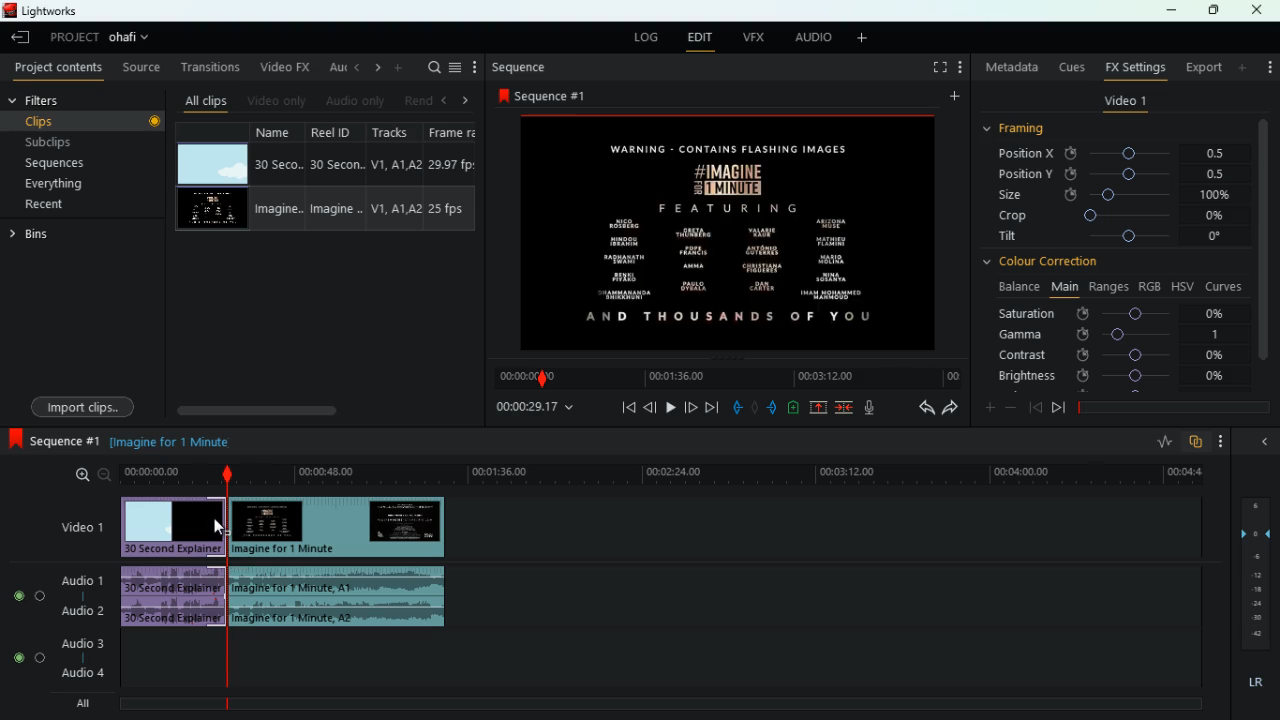 The width and height of the screenshot is (1280, 720). What do you see at coordinates (1226, 285) in the screenshot?
I see `curves` at bounding box center [1226, 285].